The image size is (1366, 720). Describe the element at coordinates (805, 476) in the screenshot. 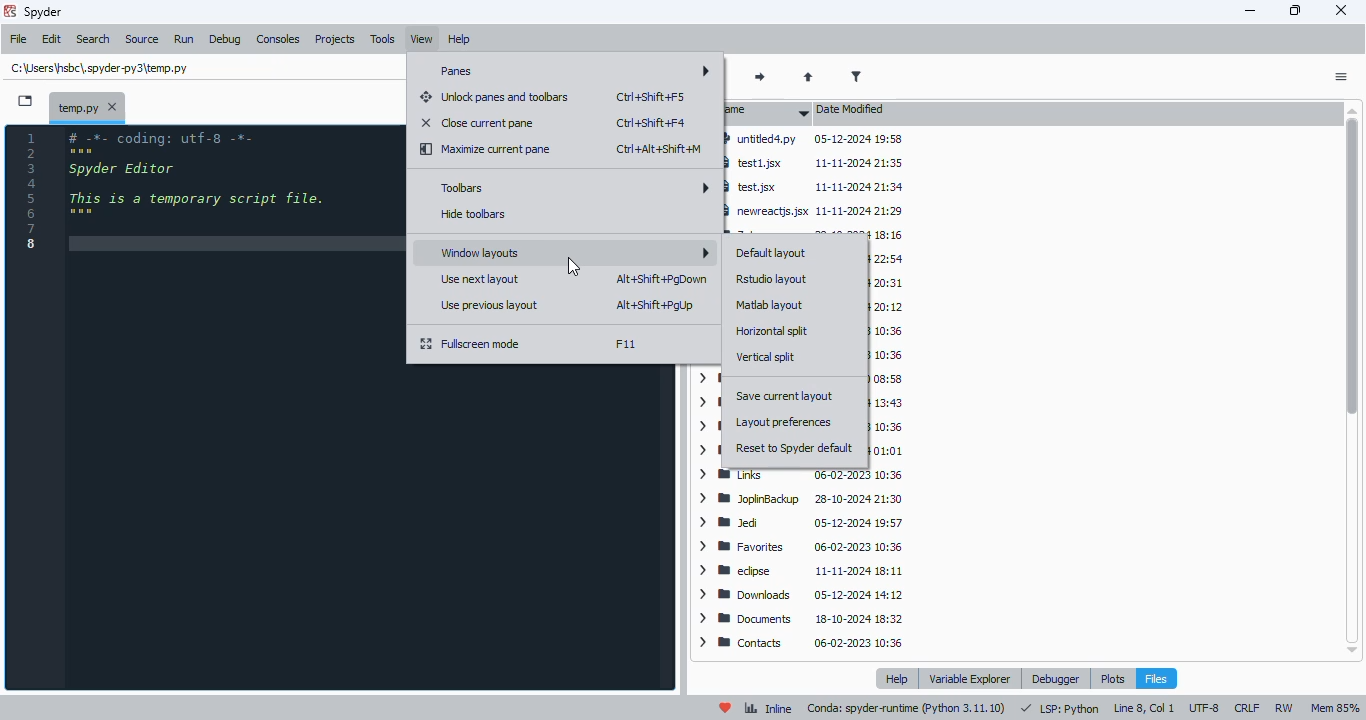

I see `Links` at that location.